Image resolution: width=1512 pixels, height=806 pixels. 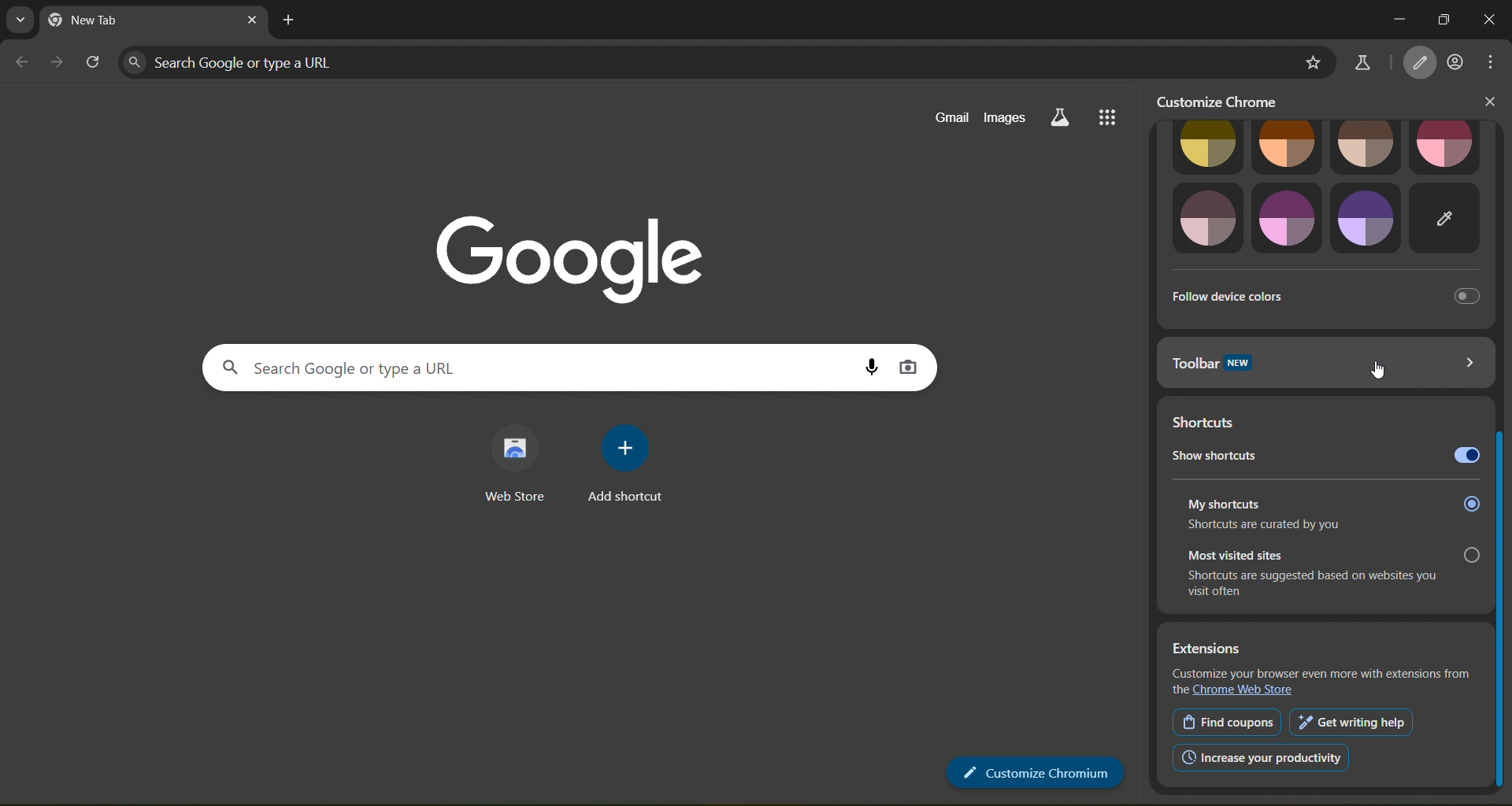 What do you see at coordinates (1310, 61) in the screenshot?
I see `bookmark page` at bounding box center [1310, 61].